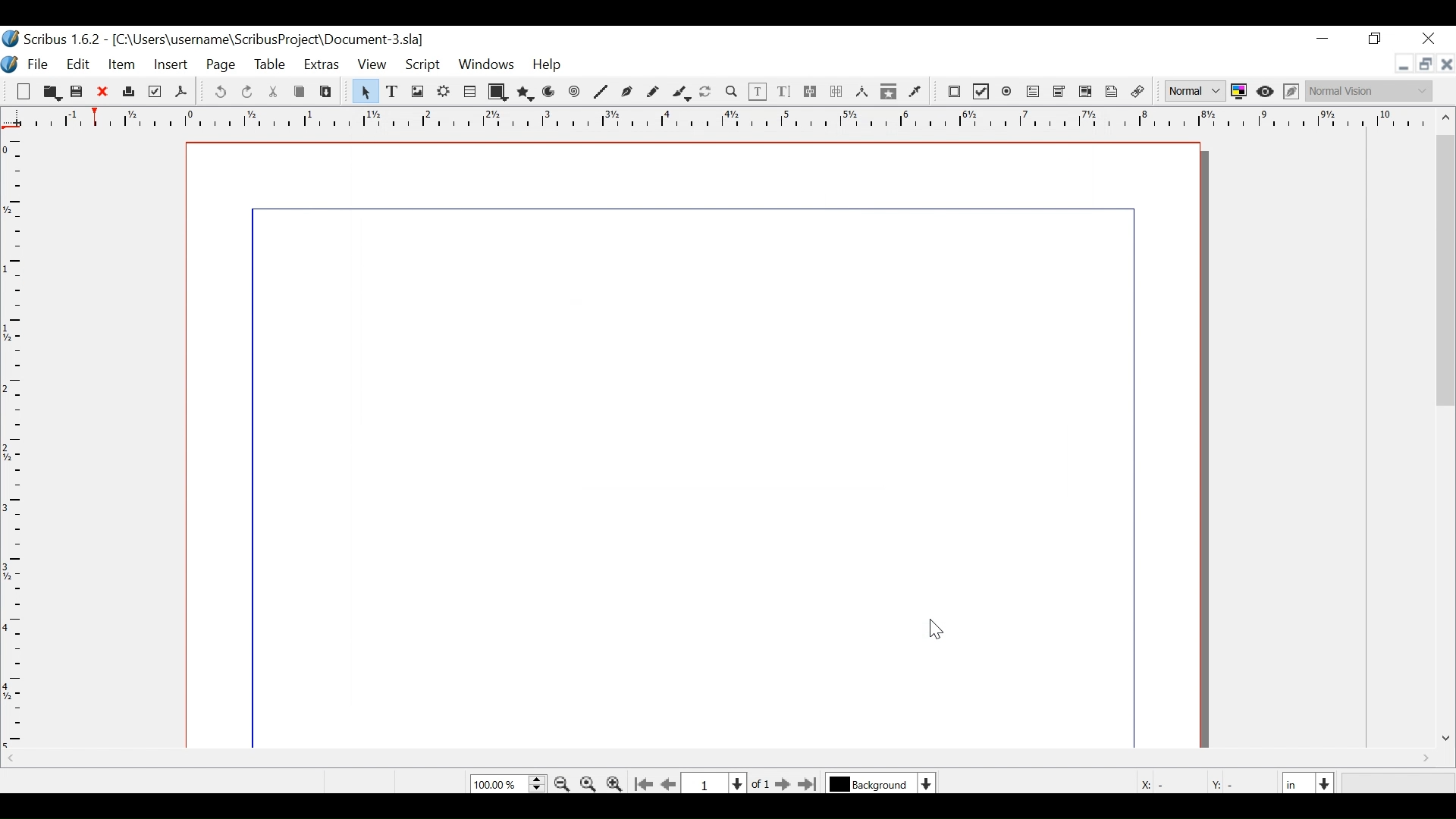 The height and width of the screenshot is (819, 1456). I want to click on Calligraphic line, so click(682, 93).